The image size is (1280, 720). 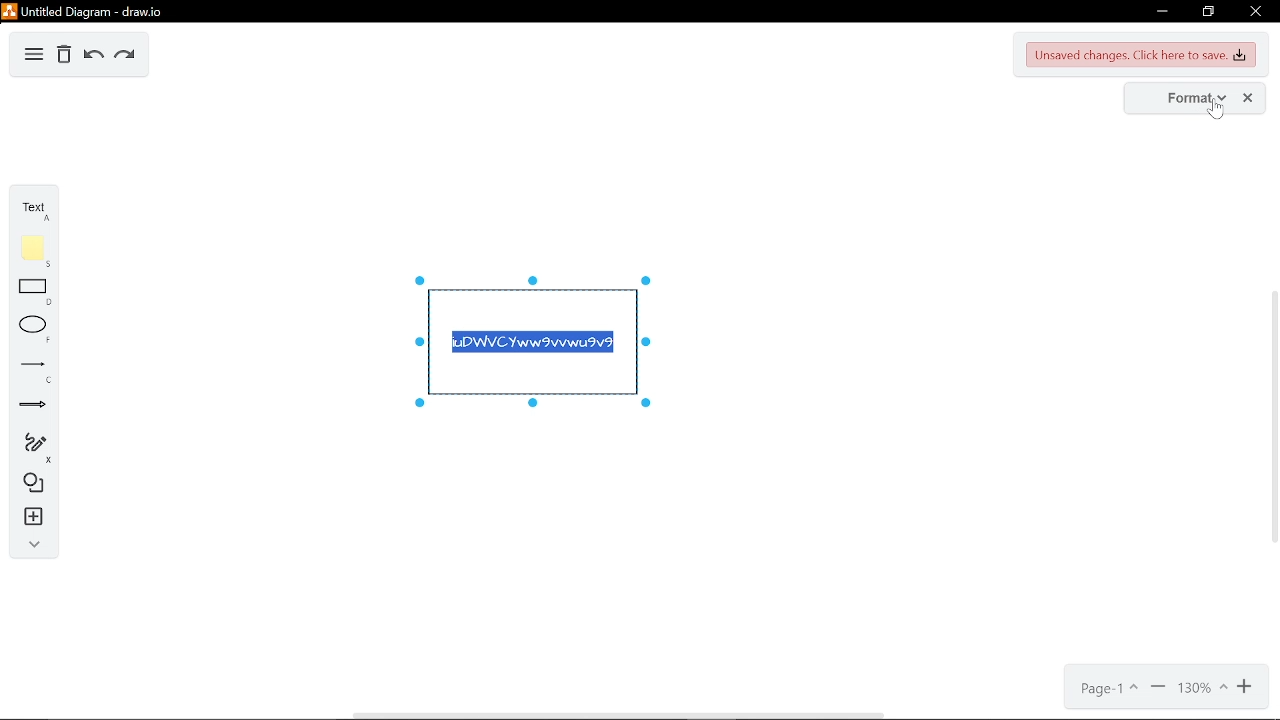 What do you see at coordinates (94, 56) in the screenshot?
I see `undo` at bounding box center [94, 56].